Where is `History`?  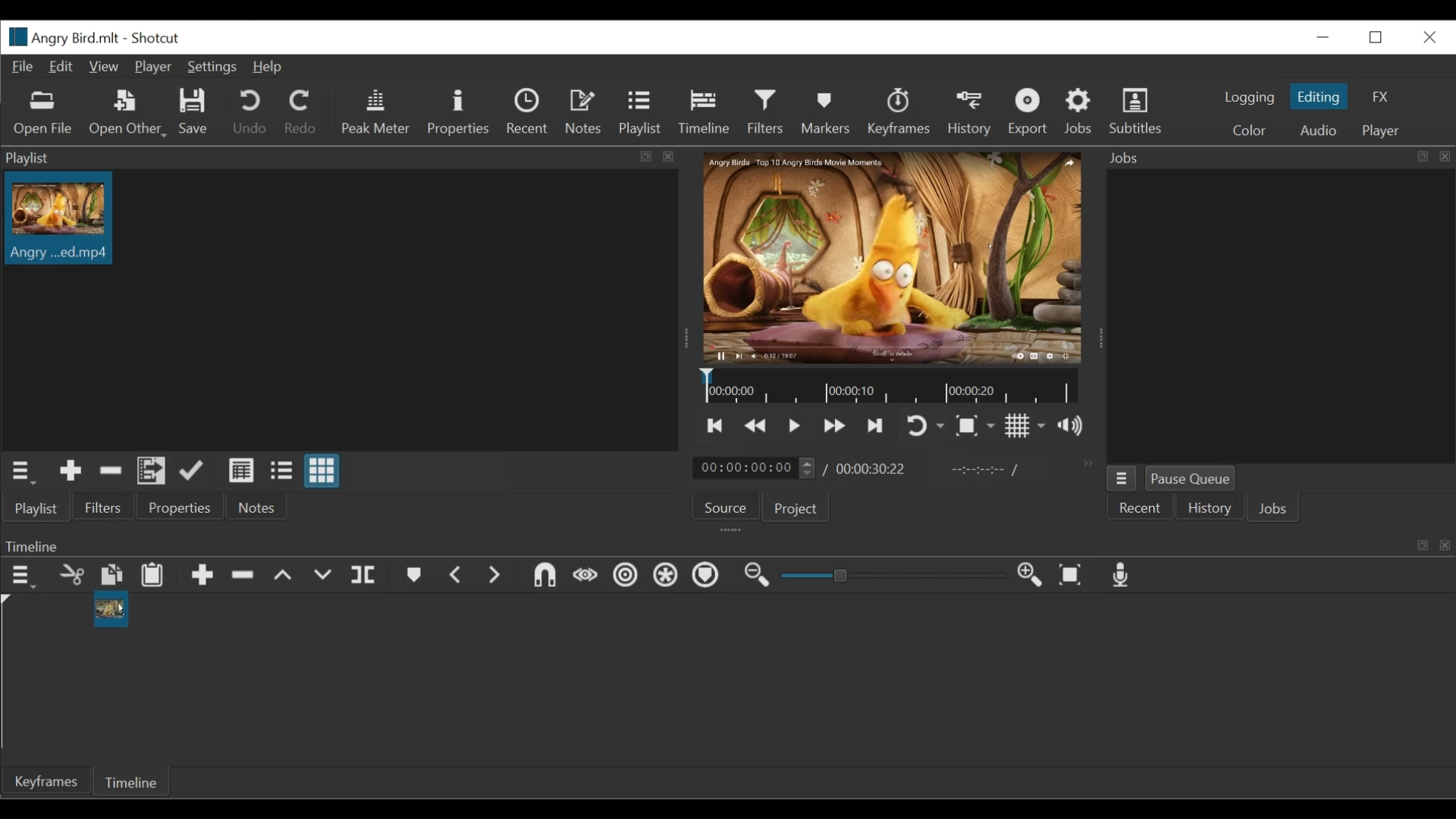 History is located at coordinates (970, 113).